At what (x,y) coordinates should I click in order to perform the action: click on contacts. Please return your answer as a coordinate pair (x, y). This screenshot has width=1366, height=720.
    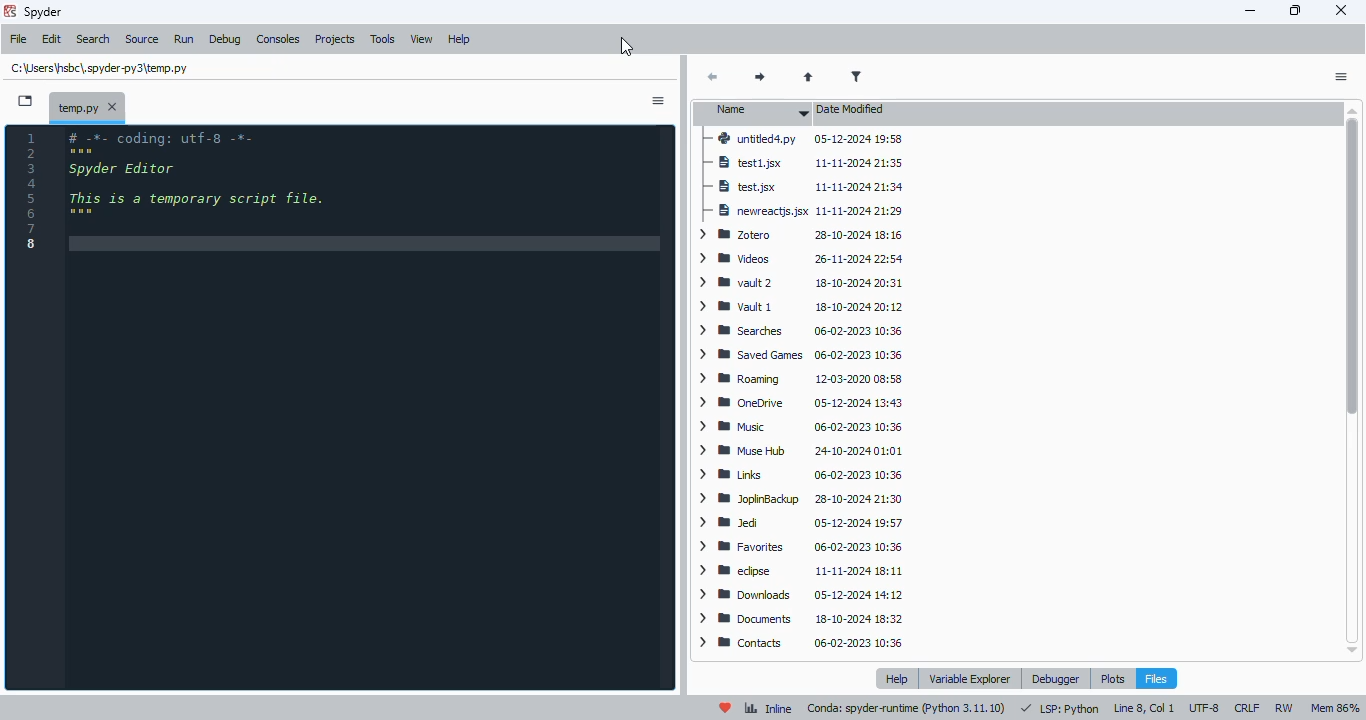
    Looking at the image, I should click on (806, 643).